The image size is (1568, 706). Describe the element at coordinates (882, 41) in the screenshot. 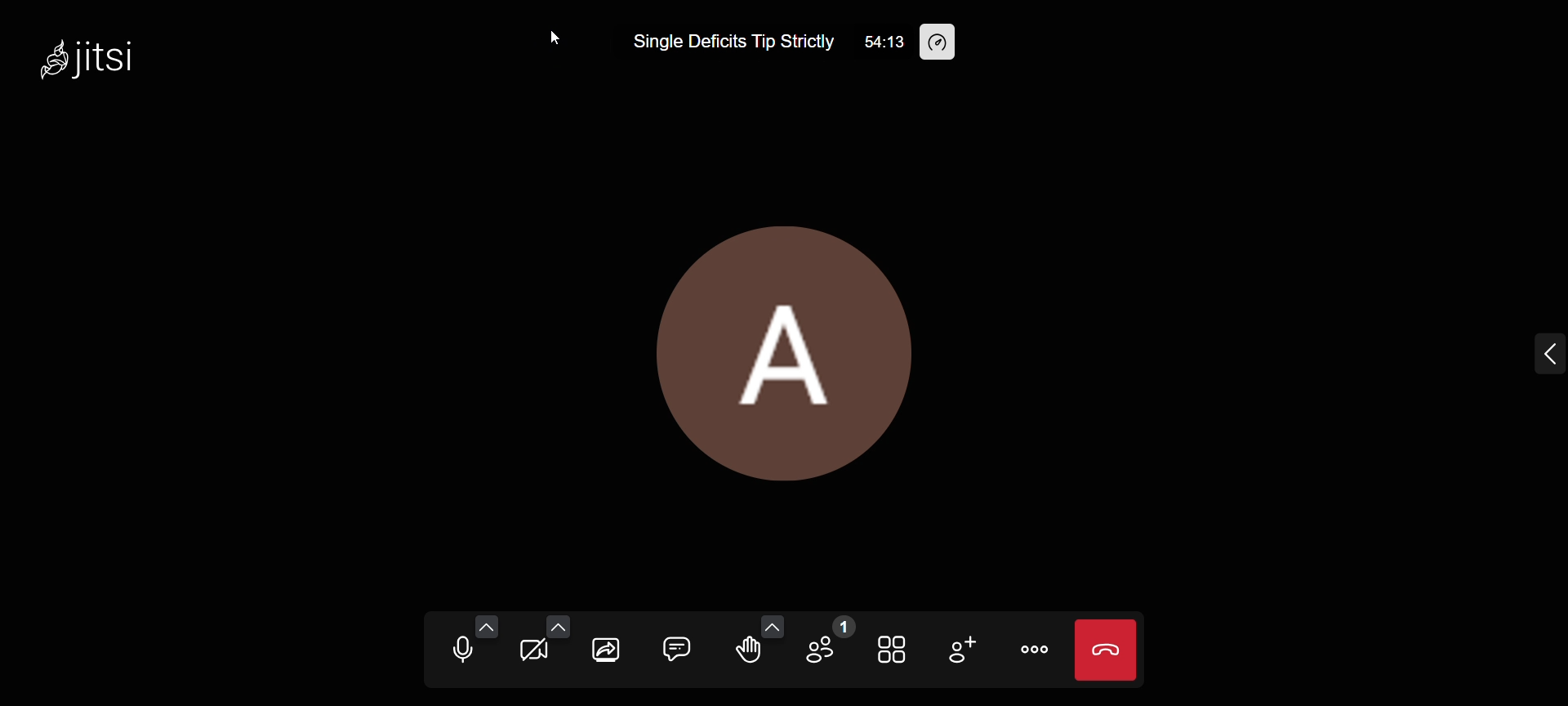

I see `54:13` at that location.